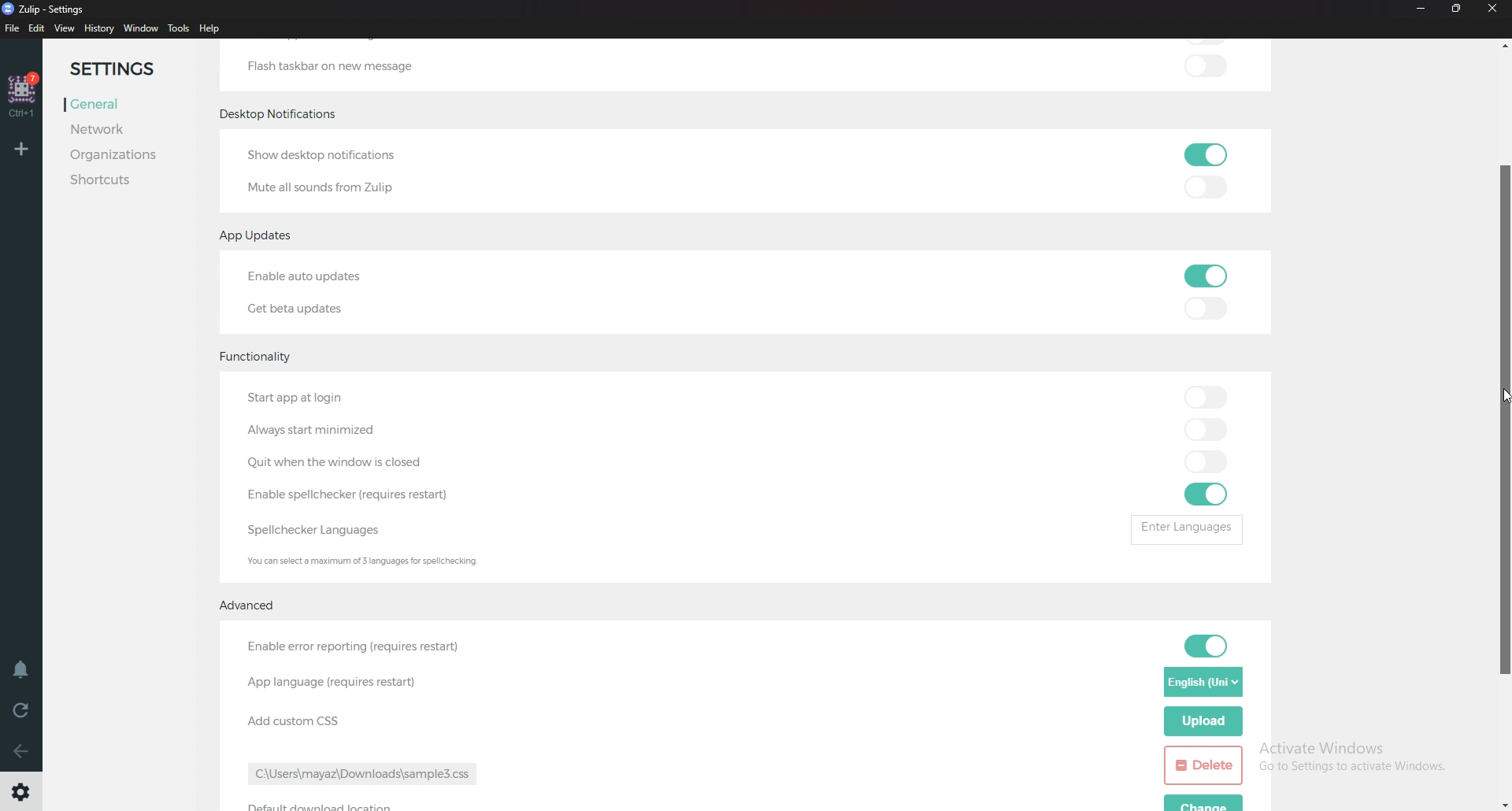  I want to click on toggle, so click(1211, 646).